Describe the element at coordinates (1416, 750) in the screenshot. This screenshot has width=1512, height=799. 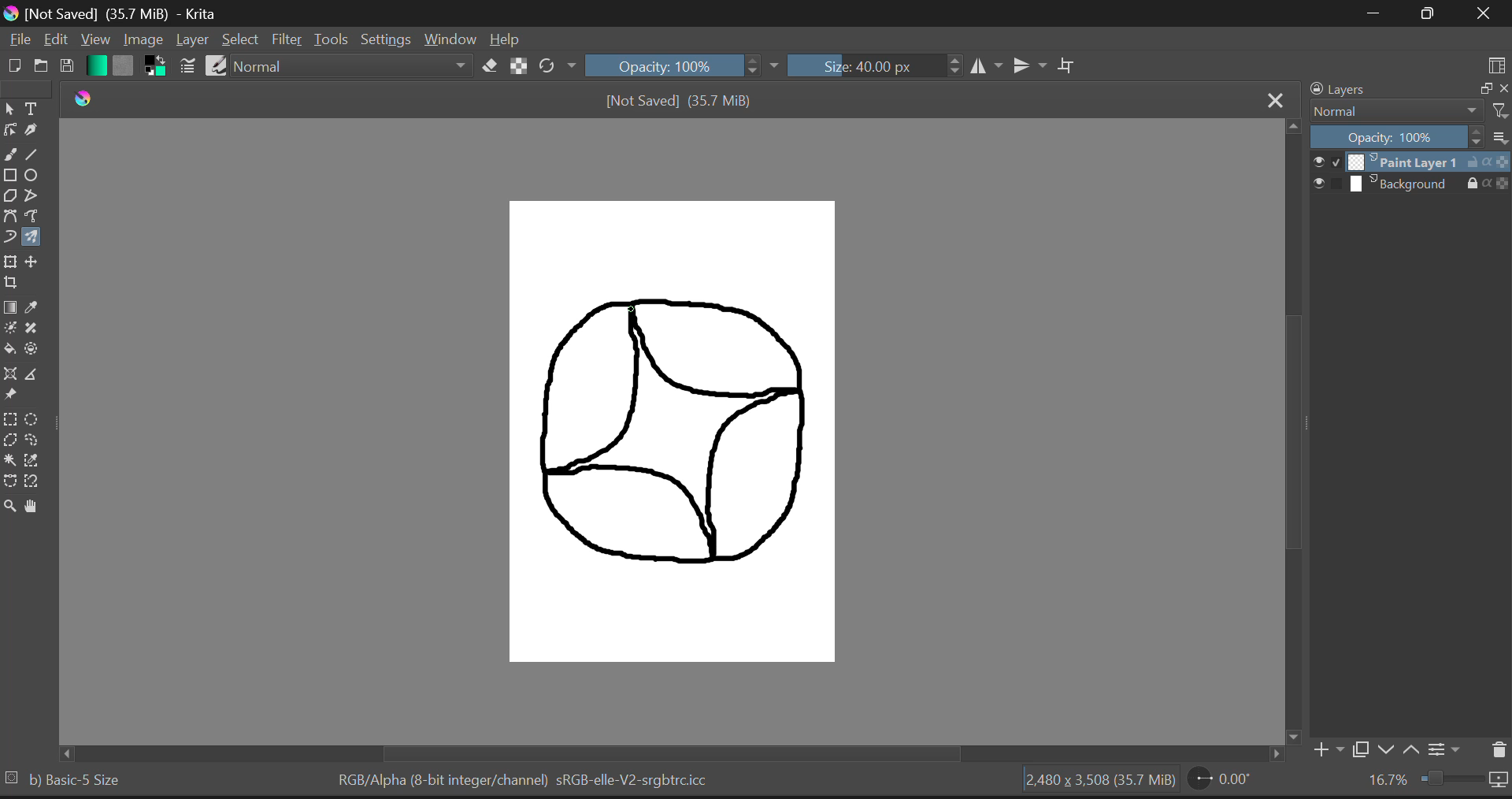
I see `Move Layer Up` at that location.